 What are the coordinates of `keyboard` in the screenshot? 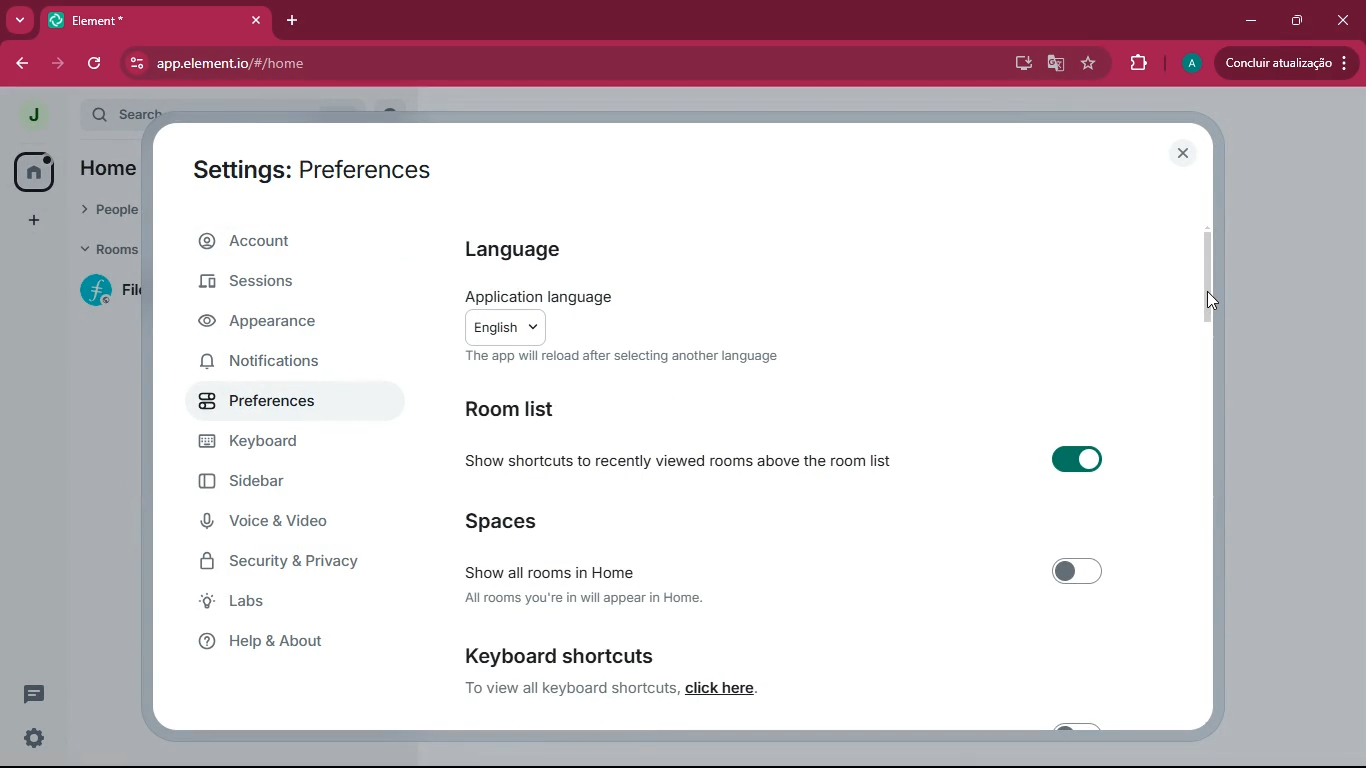 It's located at (283, 445).